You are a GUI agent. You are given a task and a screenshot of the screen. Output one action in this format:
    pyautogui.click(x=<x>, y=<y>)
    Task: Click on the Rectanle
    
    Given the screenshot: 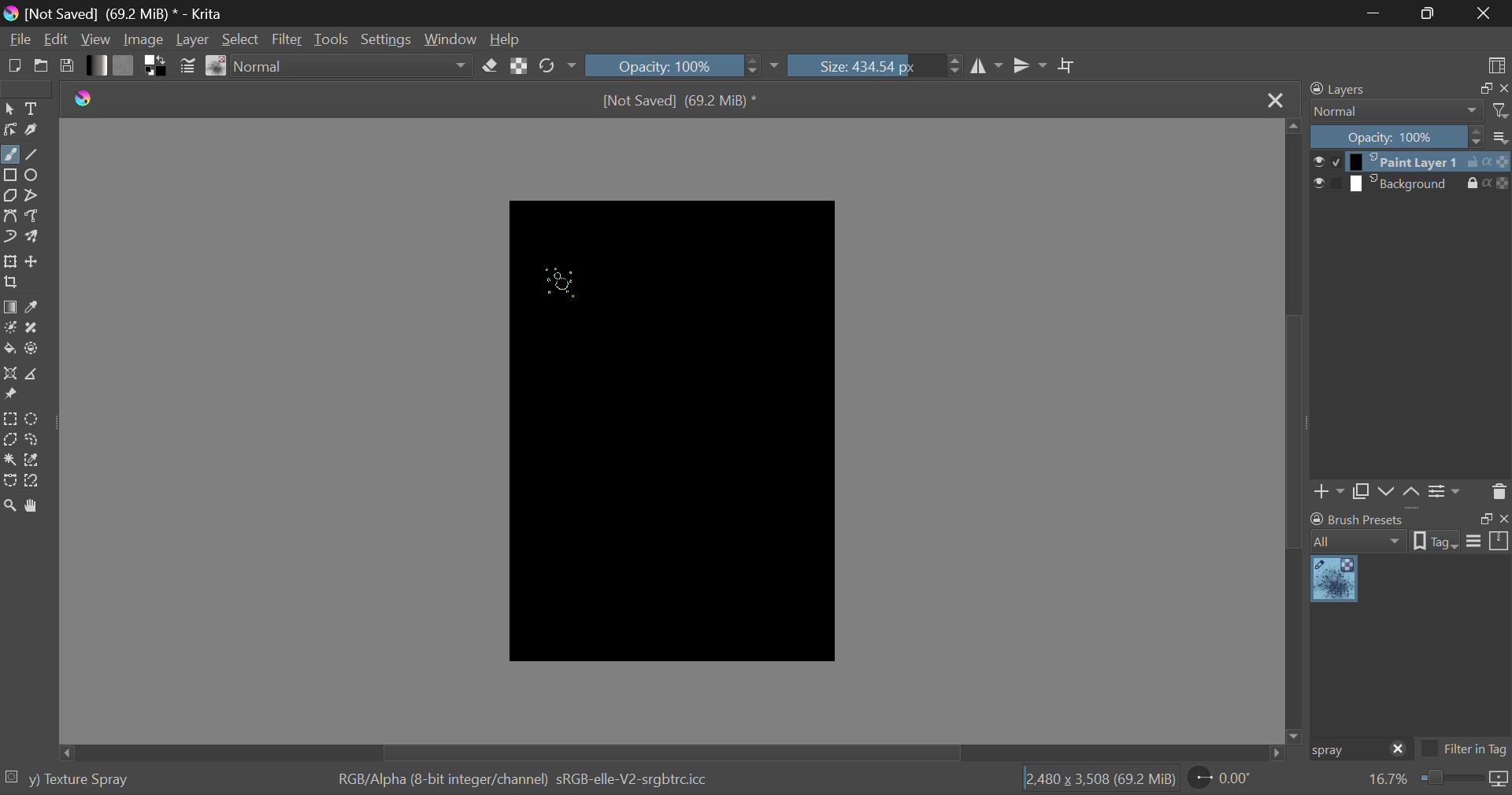 What is the action you would take?
    pyautogui.click(x=10, y=176)
    